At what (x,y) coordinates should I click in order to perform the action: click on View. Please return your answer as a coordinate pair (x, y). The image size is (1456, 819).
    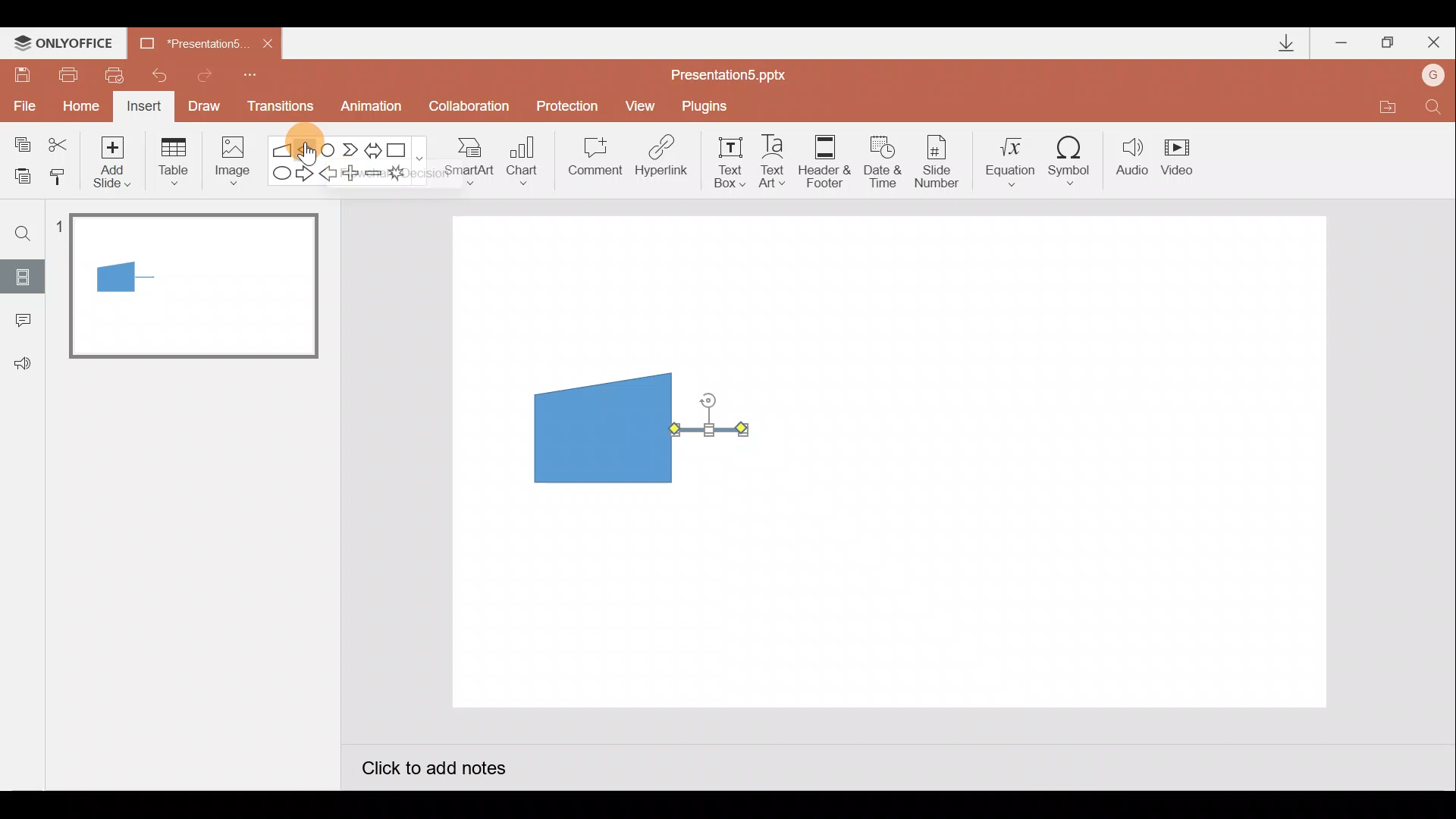
    Looking at the image, I should click on (642, 105).